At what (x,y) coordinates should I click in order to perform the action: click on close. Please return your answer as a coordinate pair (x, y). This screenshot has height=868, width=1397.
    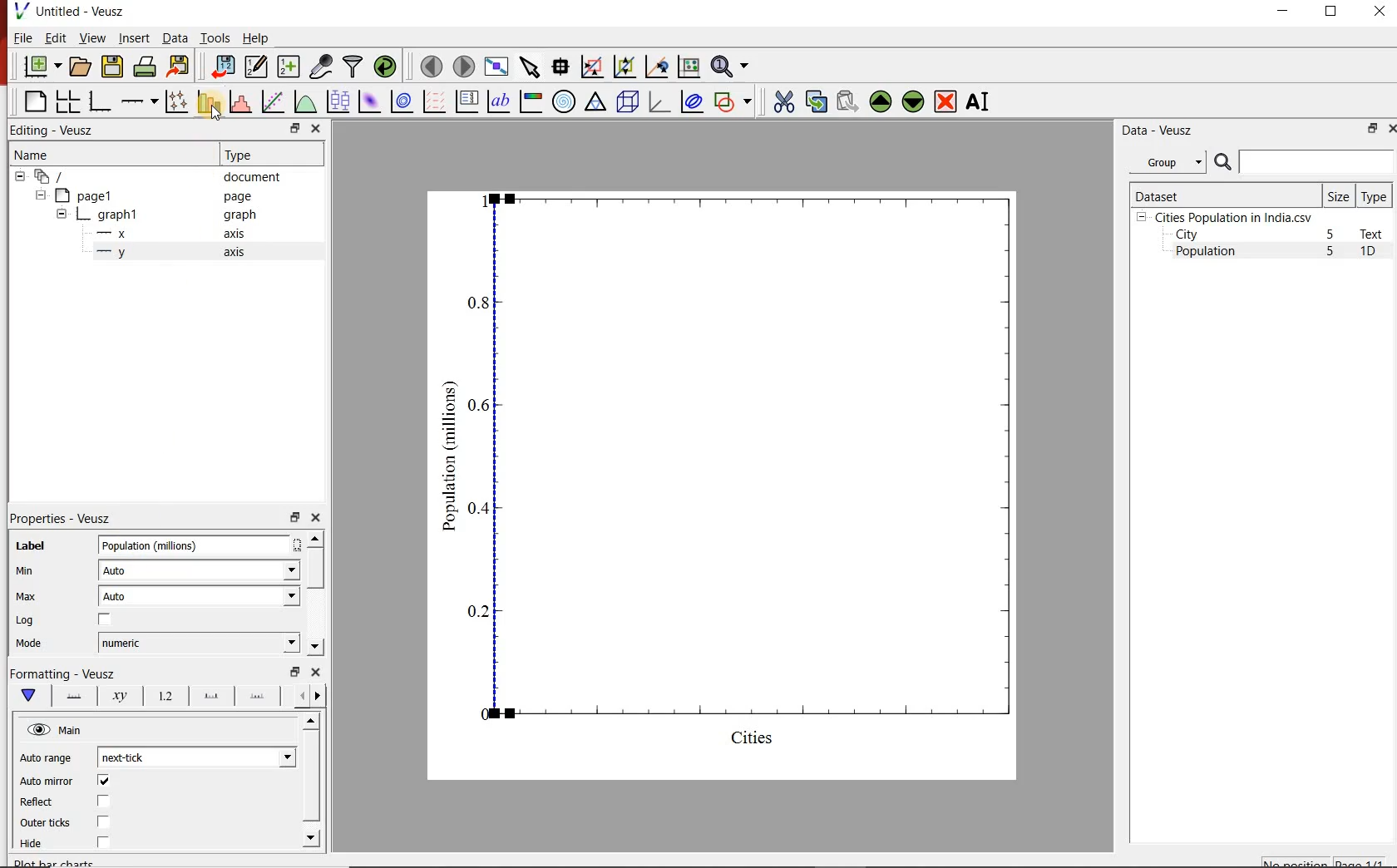
    Looking at the image, I should click on (315, 518).